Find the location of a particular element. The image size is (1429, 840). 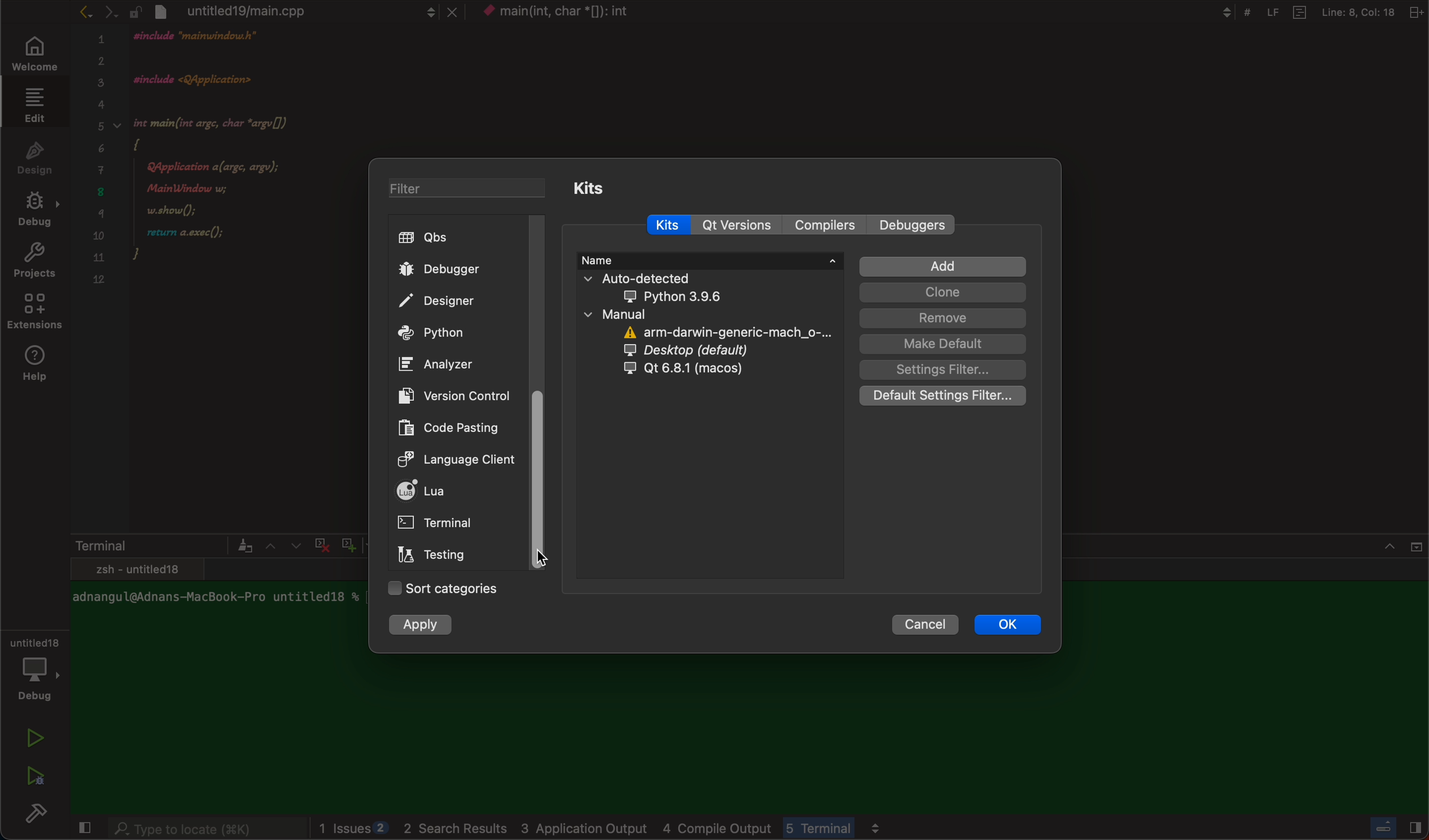

Scroller  is located at coordinates (548, 482).